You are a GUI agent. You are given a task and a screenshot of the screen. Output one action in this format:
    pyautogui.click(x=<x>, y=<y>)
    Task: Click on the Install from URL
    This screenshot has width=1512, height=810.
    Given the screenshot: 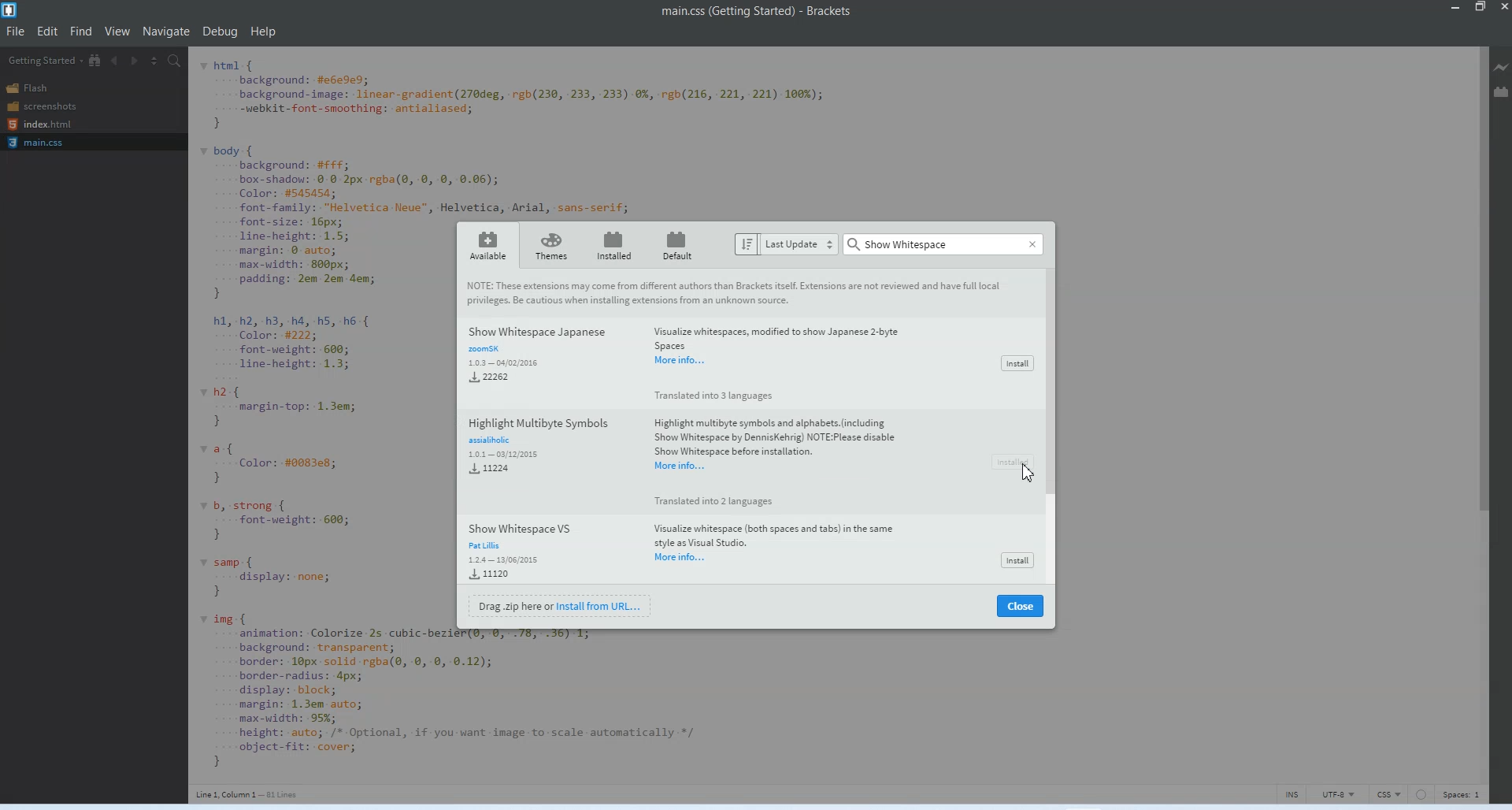 What is the action you would take?
    pyautogui.click(x=563, y=605)
    